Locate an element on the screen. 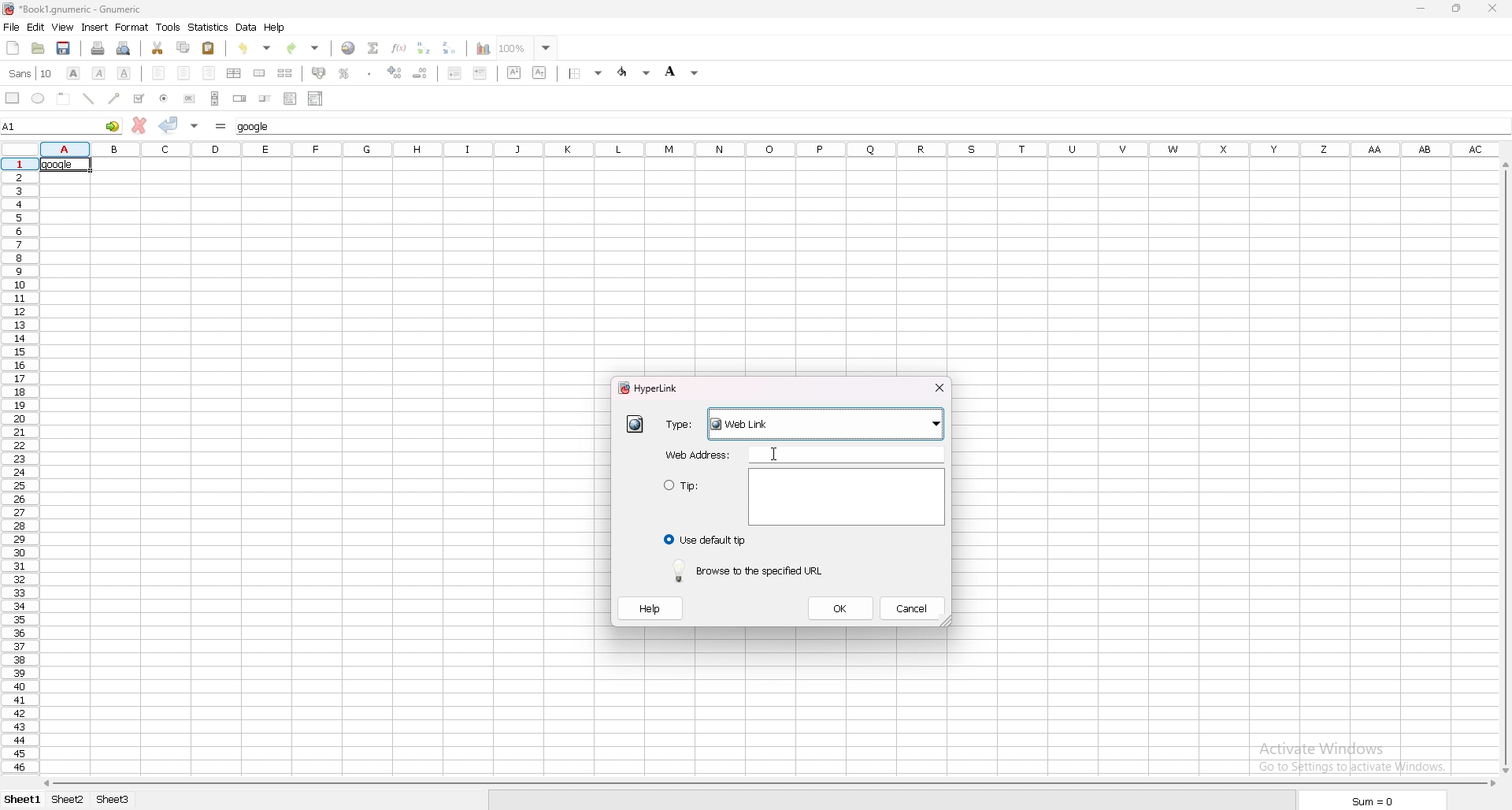  arrowed line is located at coordinates (115, 98).